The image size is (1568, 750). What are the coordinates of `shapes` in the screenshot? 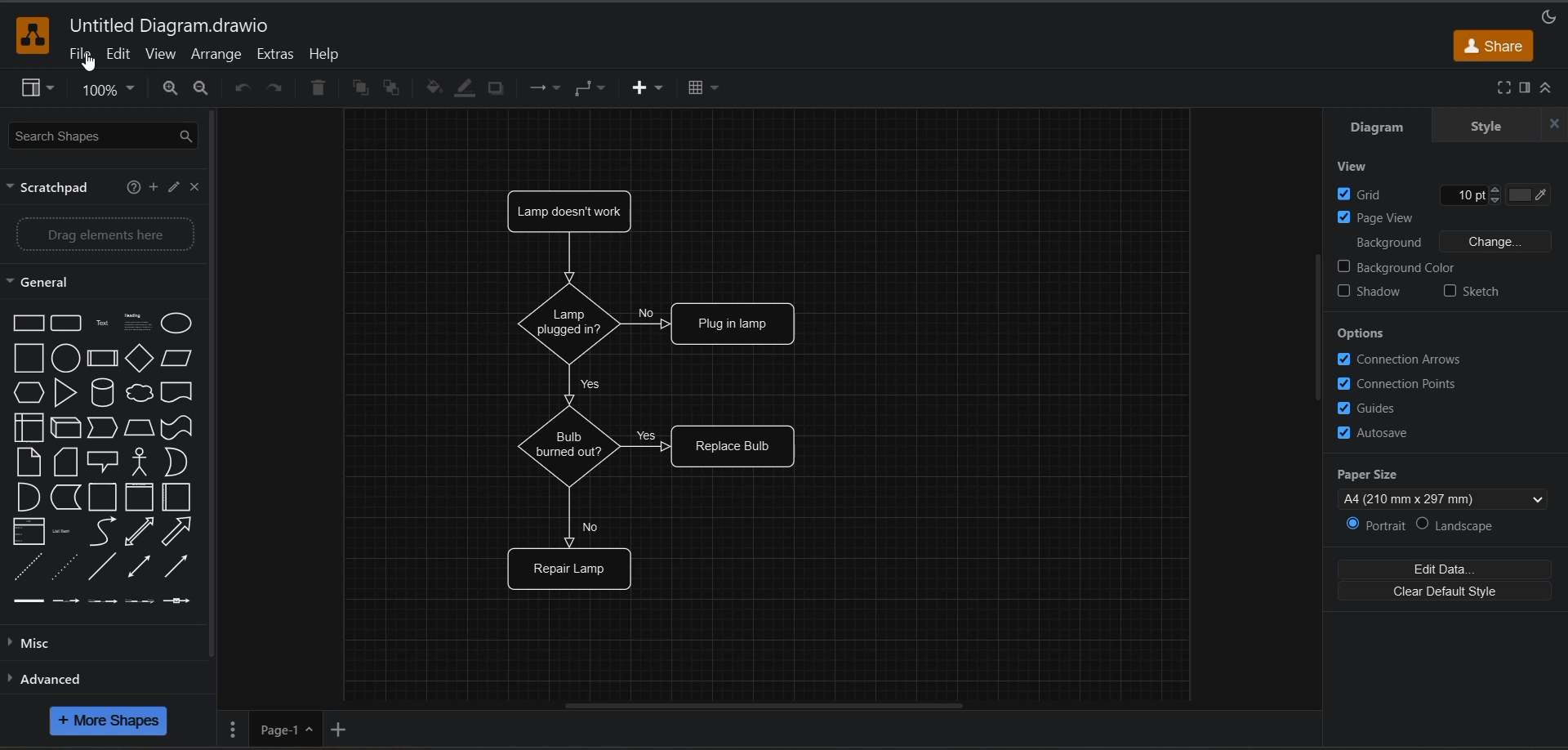 It's located at (102, 460).